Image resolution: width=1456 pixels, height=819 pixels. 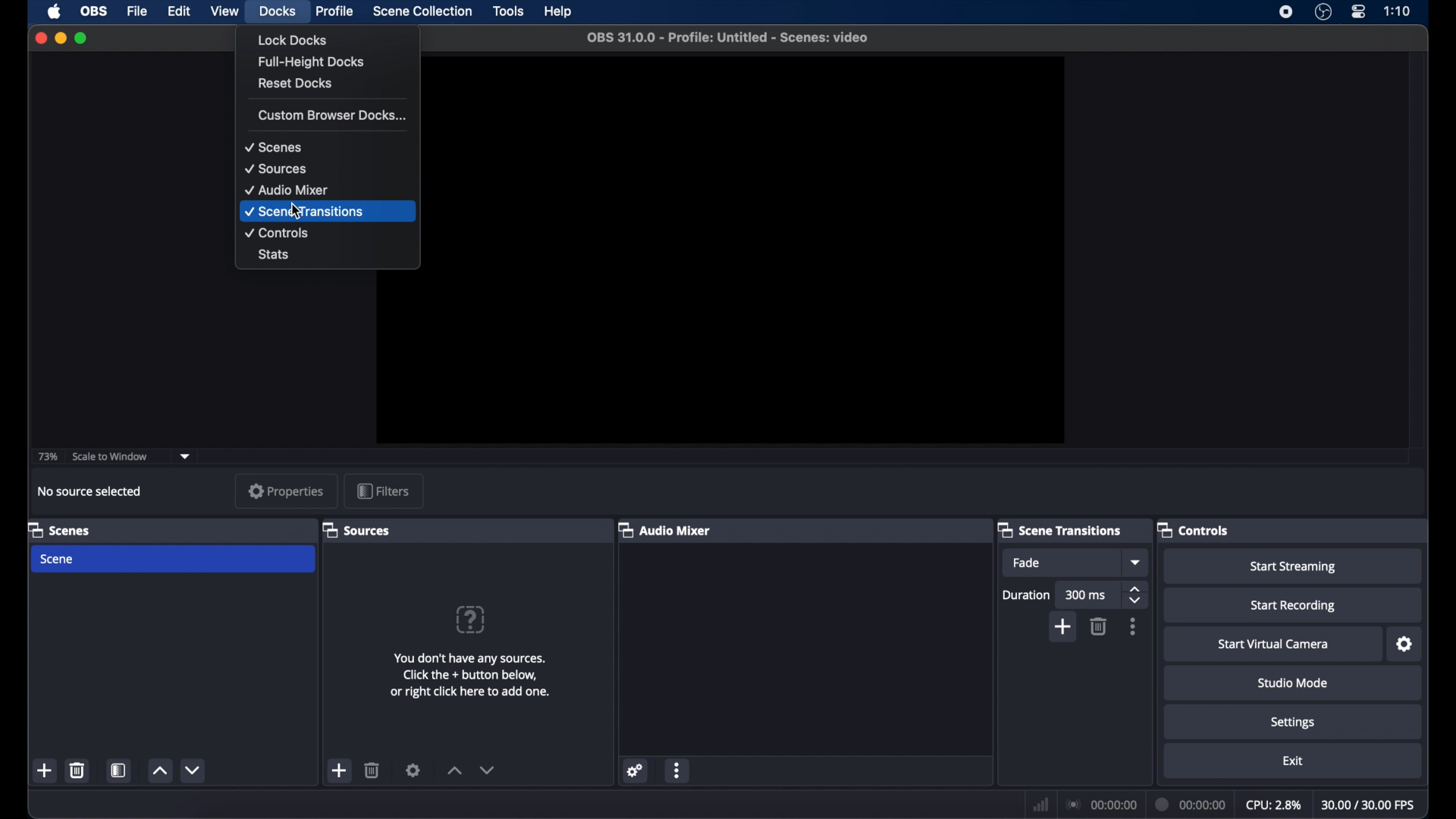 I want to click on connection, so click(x=1101, y=804).